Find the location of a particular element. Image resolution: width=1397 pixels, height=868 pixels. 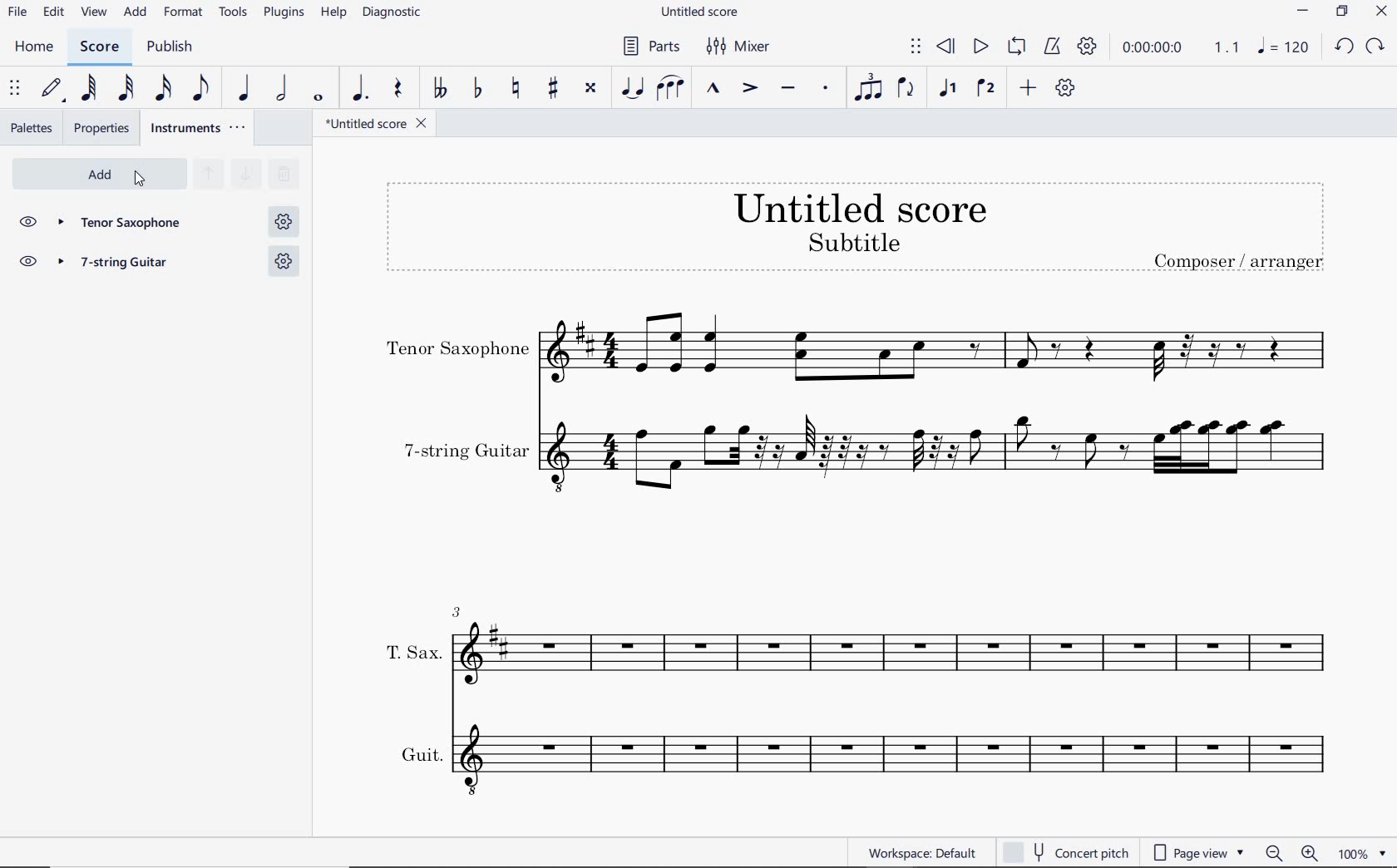

AUGMENTATION DOT is located at coordinates (361, 89).